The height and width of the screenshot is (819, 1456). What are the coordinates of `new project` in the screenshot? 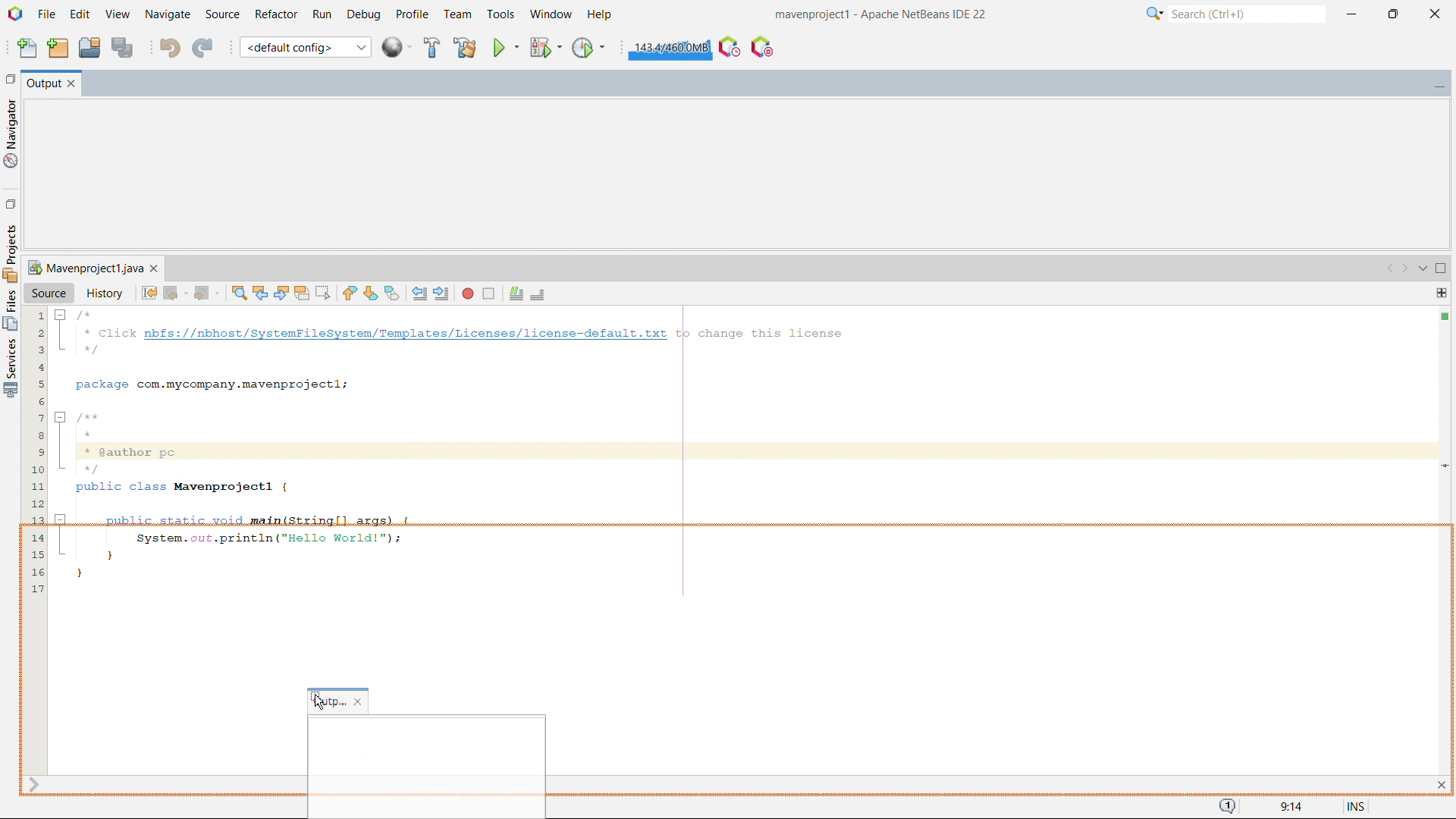 It's located at (58, 47).